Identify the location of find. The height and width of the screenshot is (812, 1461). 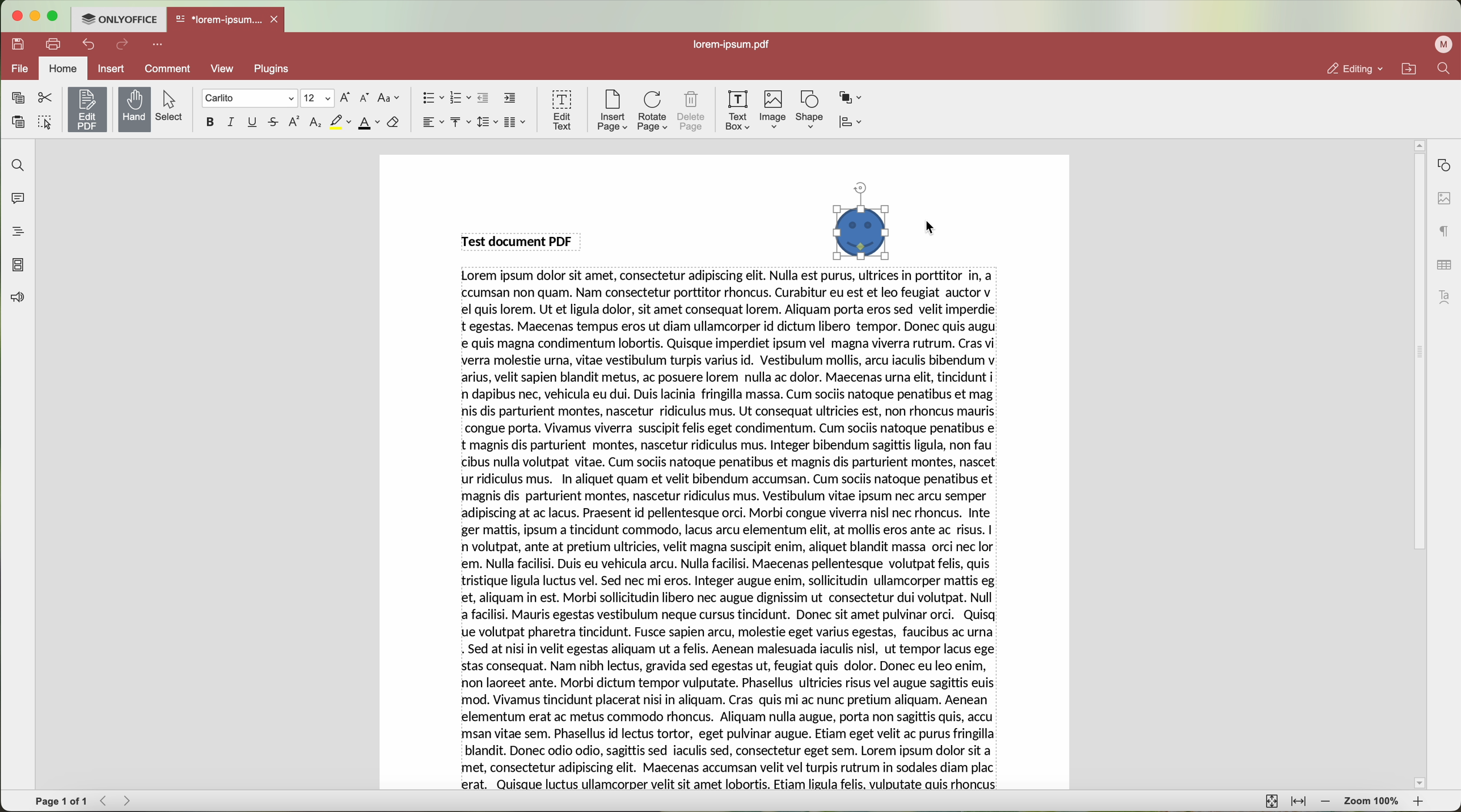
(1443, 70).